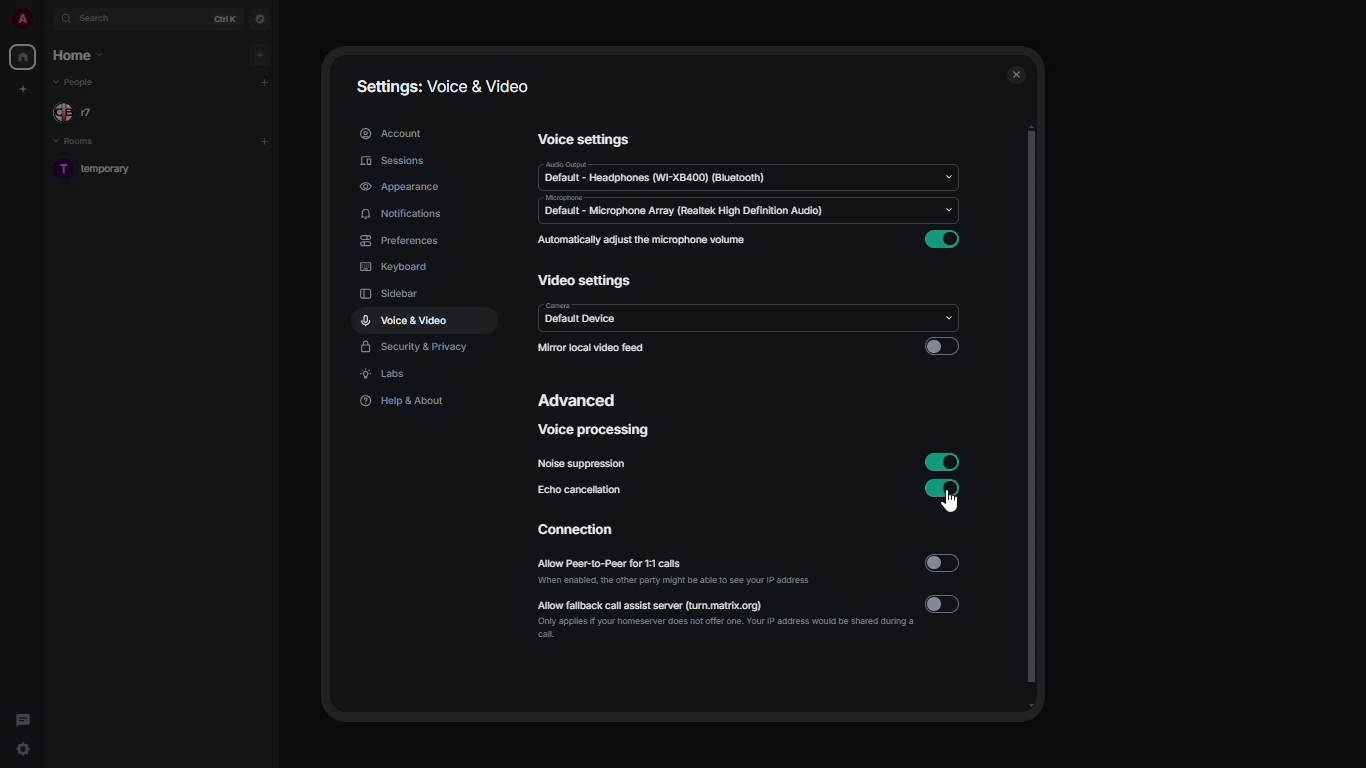 The image size is (1366, 768). I want to click on home, so click(82, 55).